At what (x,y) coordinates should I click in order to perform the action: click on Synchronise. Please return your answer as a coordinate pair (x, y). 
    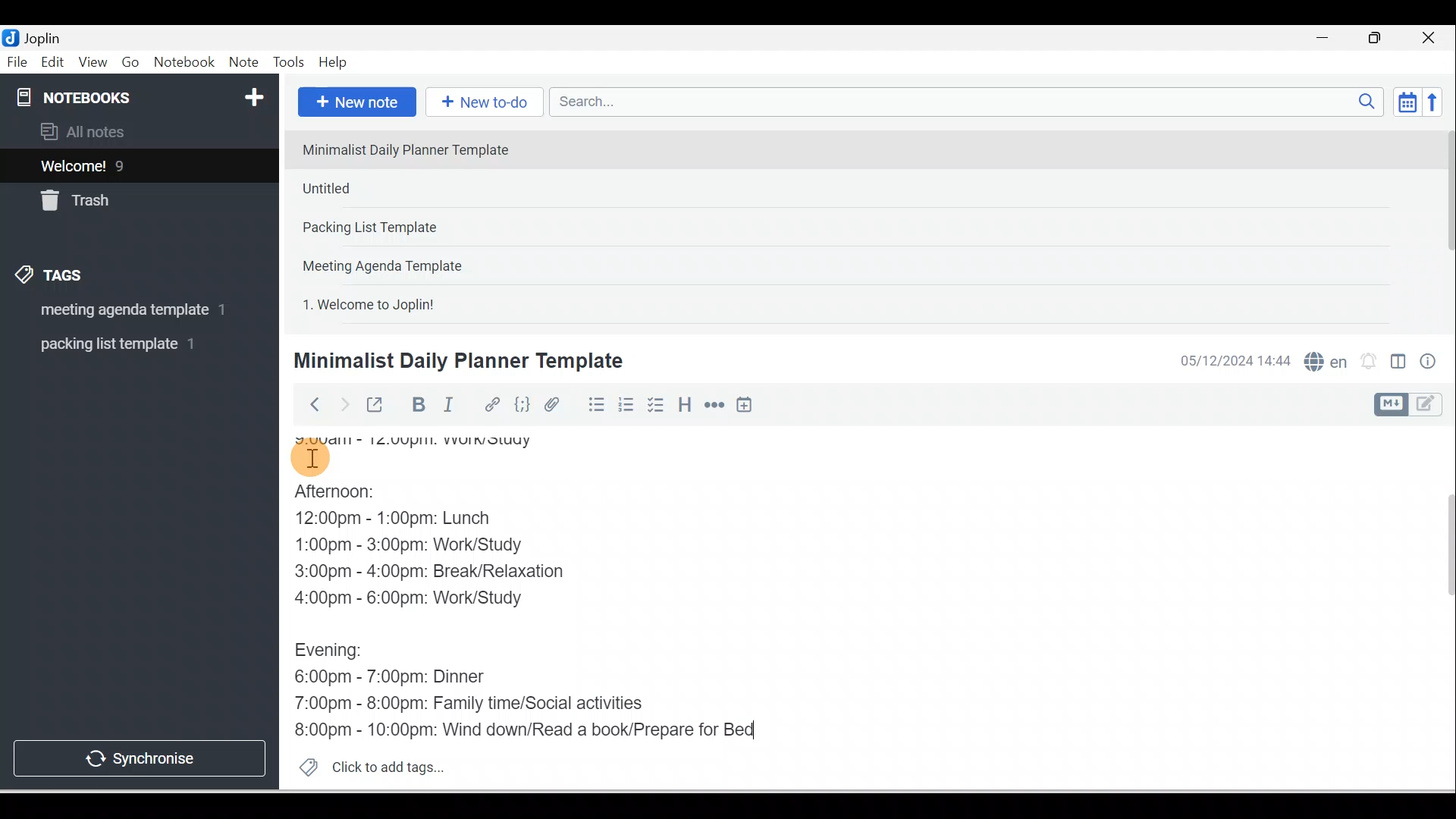
    Looking at the image, I should click on (138, 755).